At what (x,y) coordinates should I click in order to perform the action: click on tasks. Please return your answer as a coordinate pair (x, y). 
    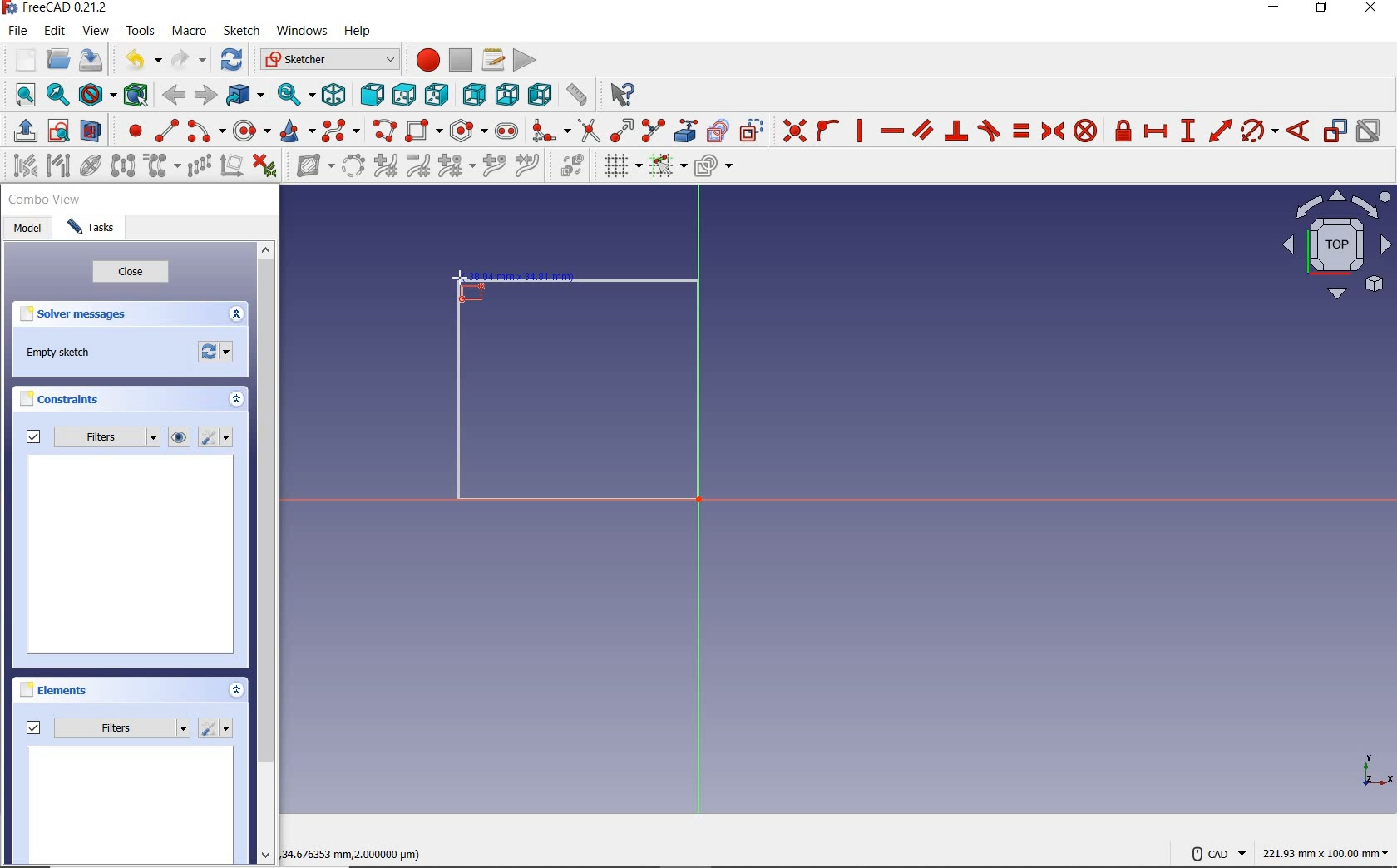
    Looking at the image, I should click on (93, 230).